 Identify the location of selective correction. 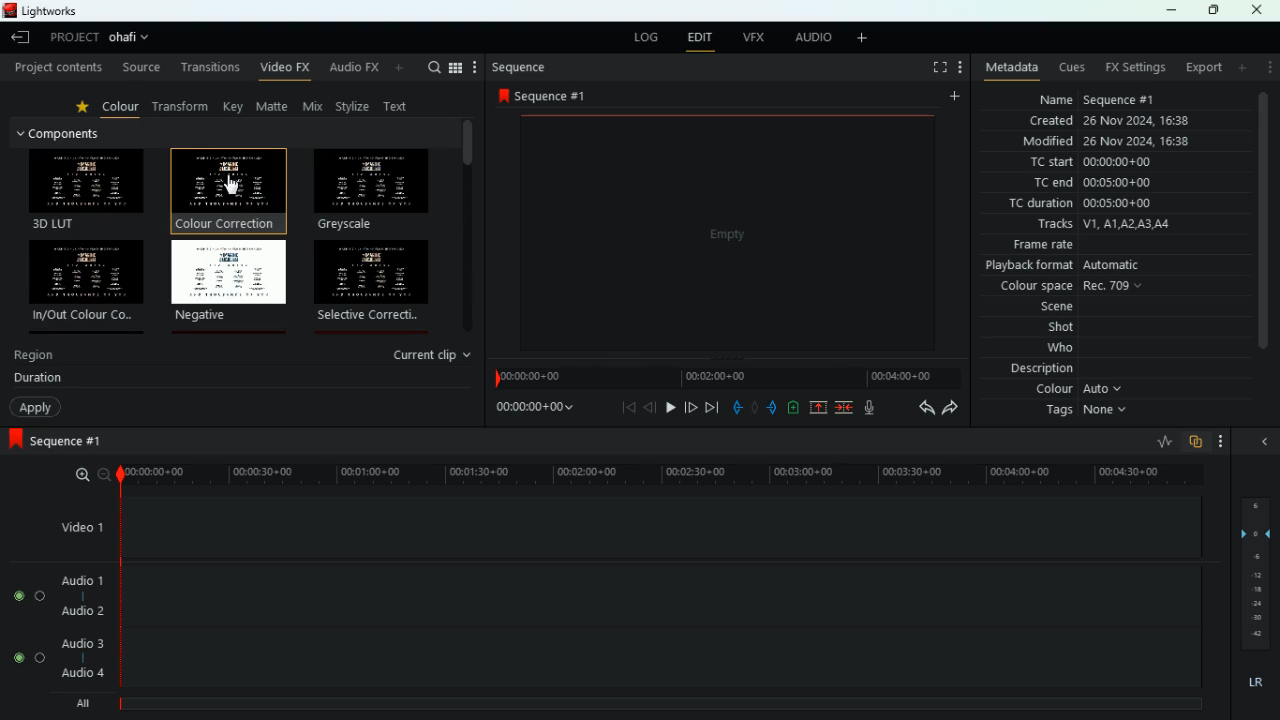
(375, 283).